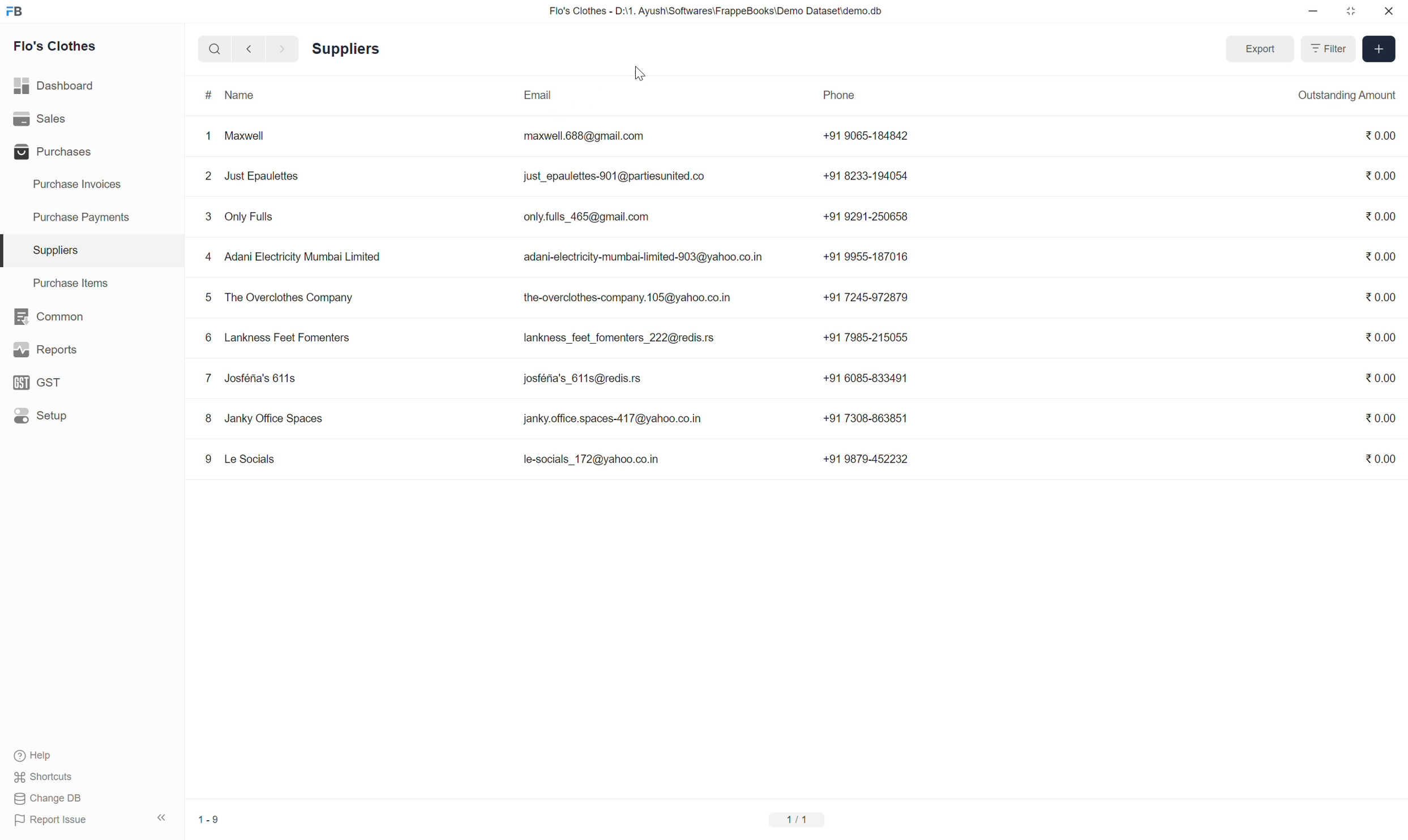 The image size is (1408, 840). I want to click on Dashboard, so click(58, 86).